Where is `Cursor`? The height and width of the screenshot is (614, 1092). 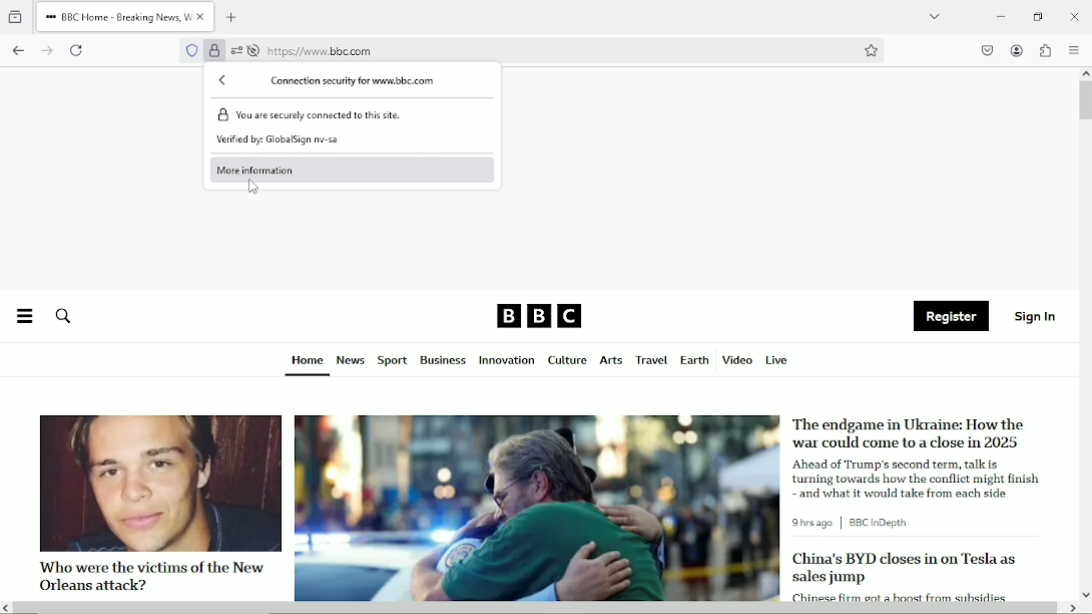 Cursor is located at coordinates (253, 188).